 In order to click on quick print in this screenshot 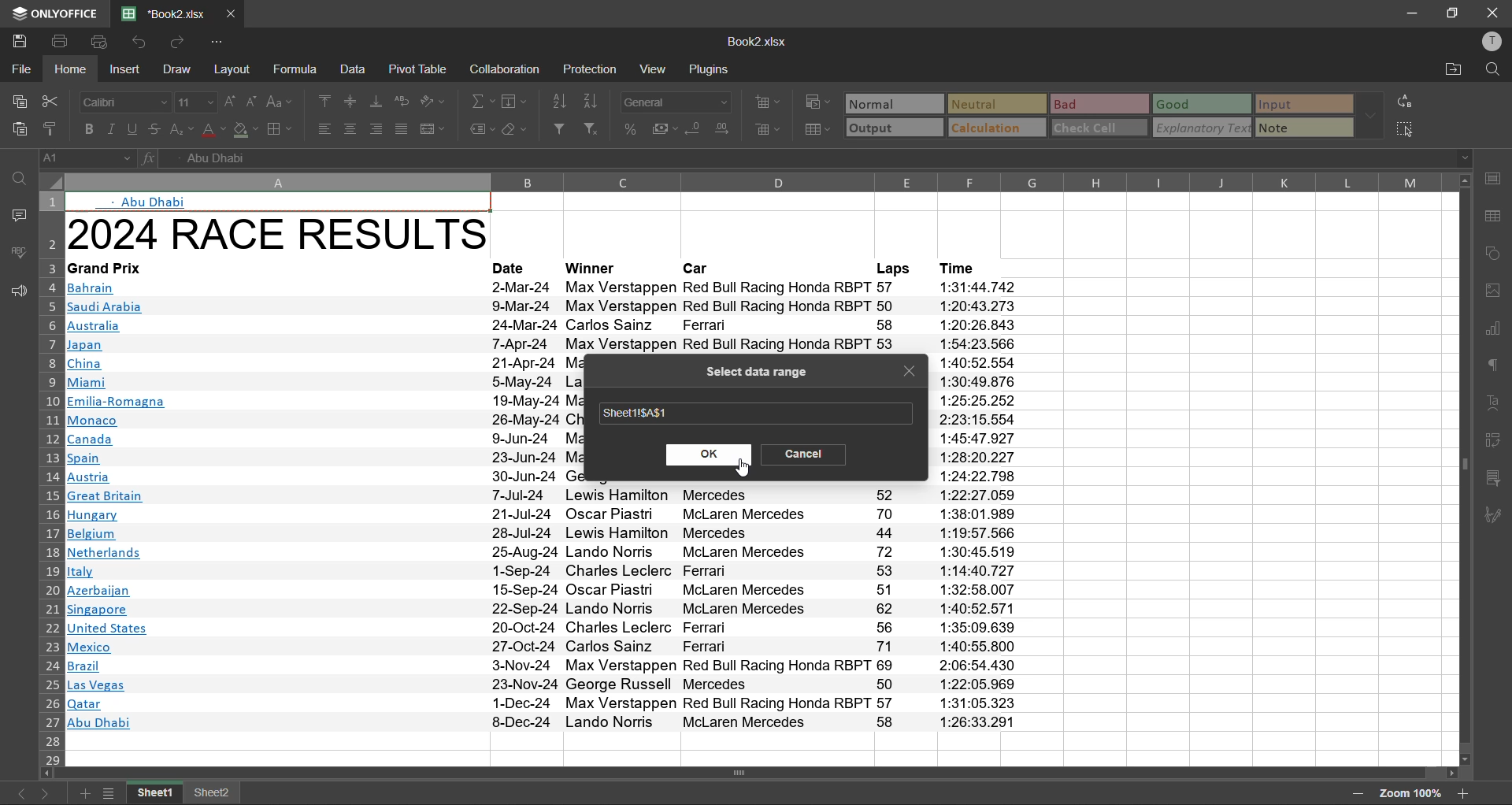, I will do `click(99, 41)`.